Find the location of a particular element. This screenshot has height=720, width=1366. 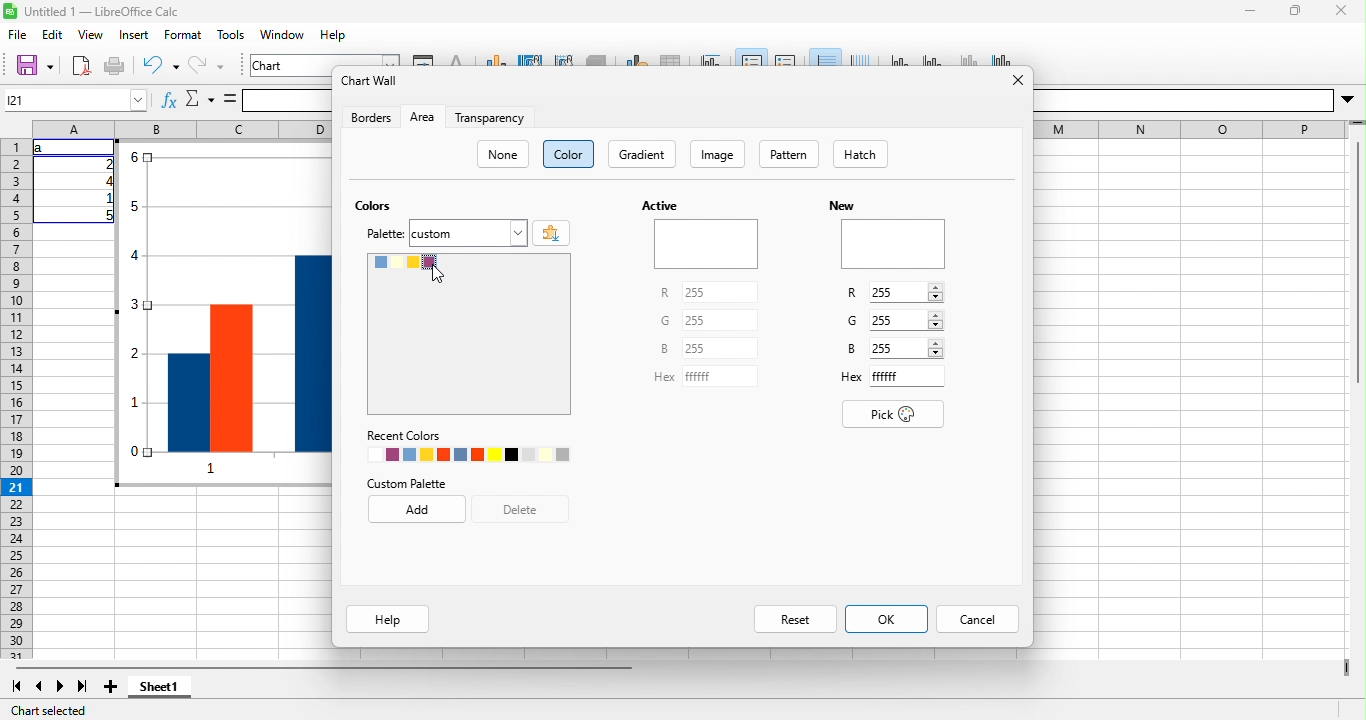

title is located at coordinates (712, 59).